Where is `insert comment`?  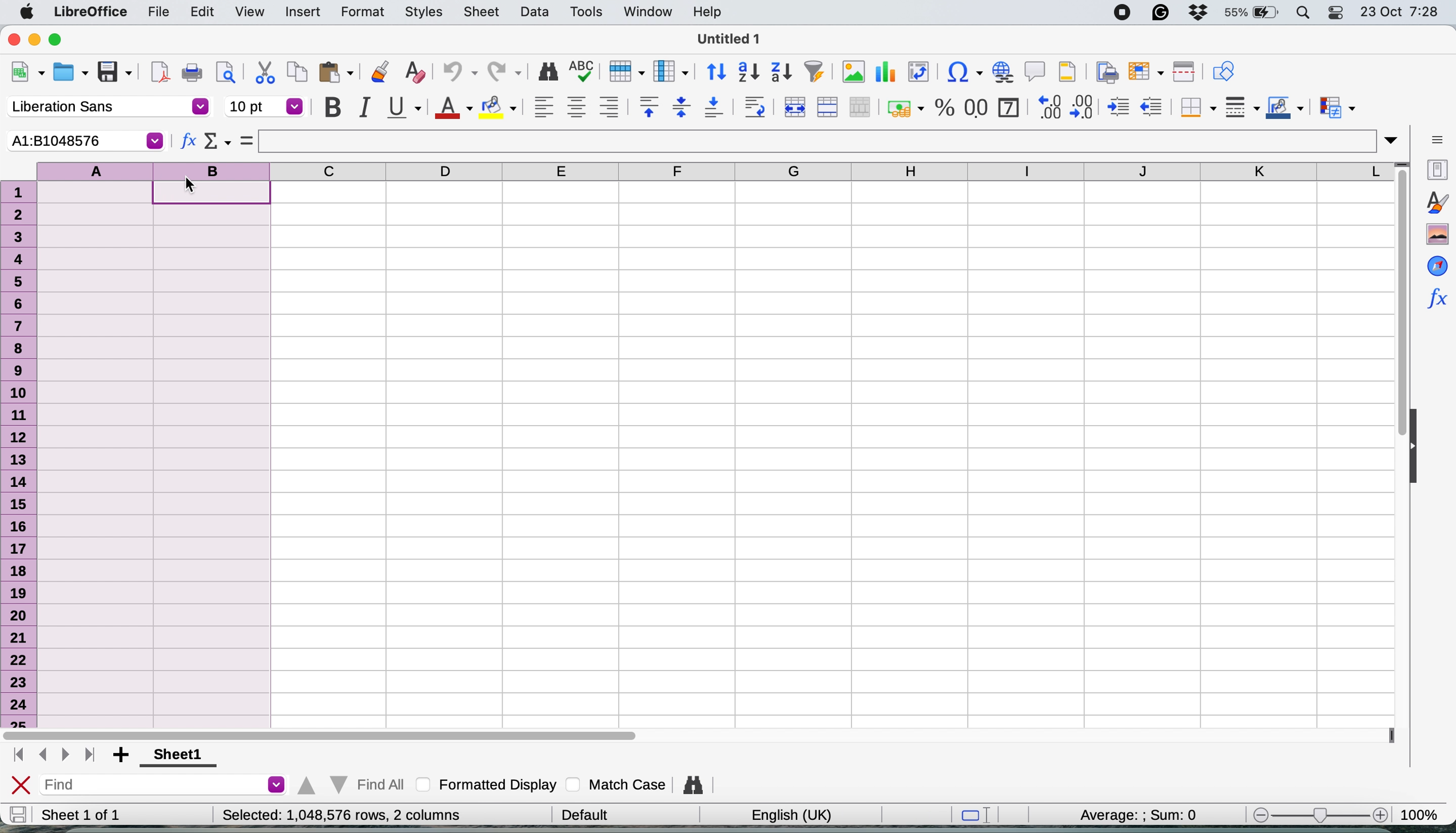
insert comment is located at coordinates (1033, 72).